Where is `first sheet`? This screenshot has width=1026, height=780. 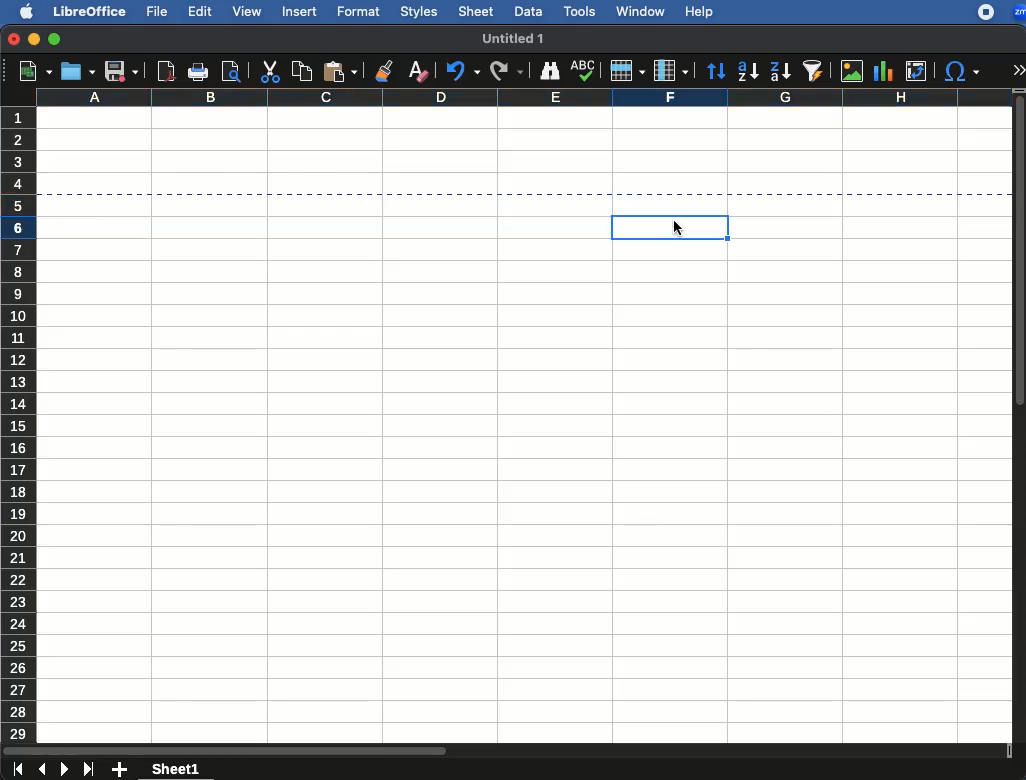 first sheet is located at coordinates (17, 768).